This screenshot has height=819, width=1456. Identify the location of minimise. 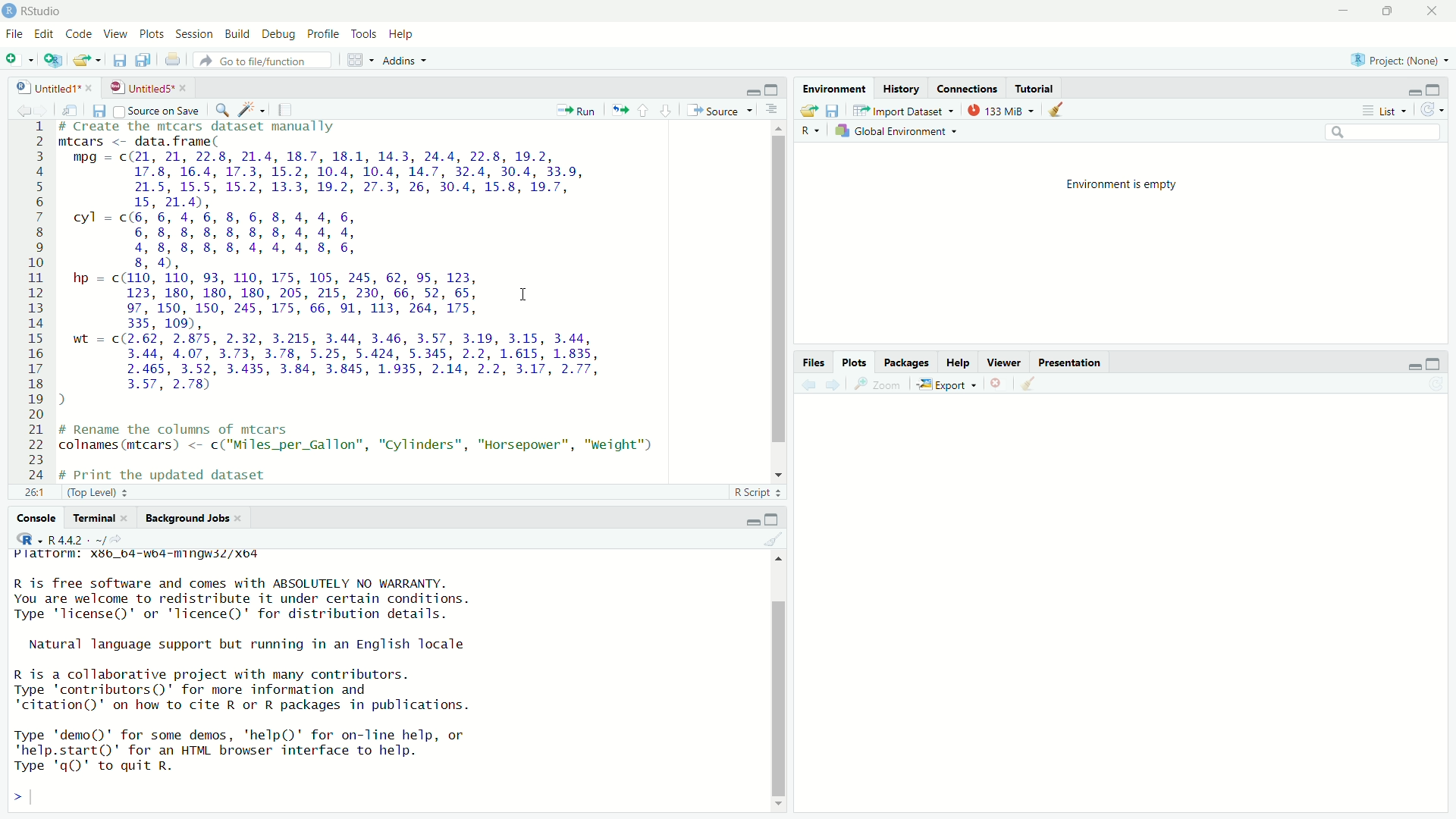
(1407, 89).